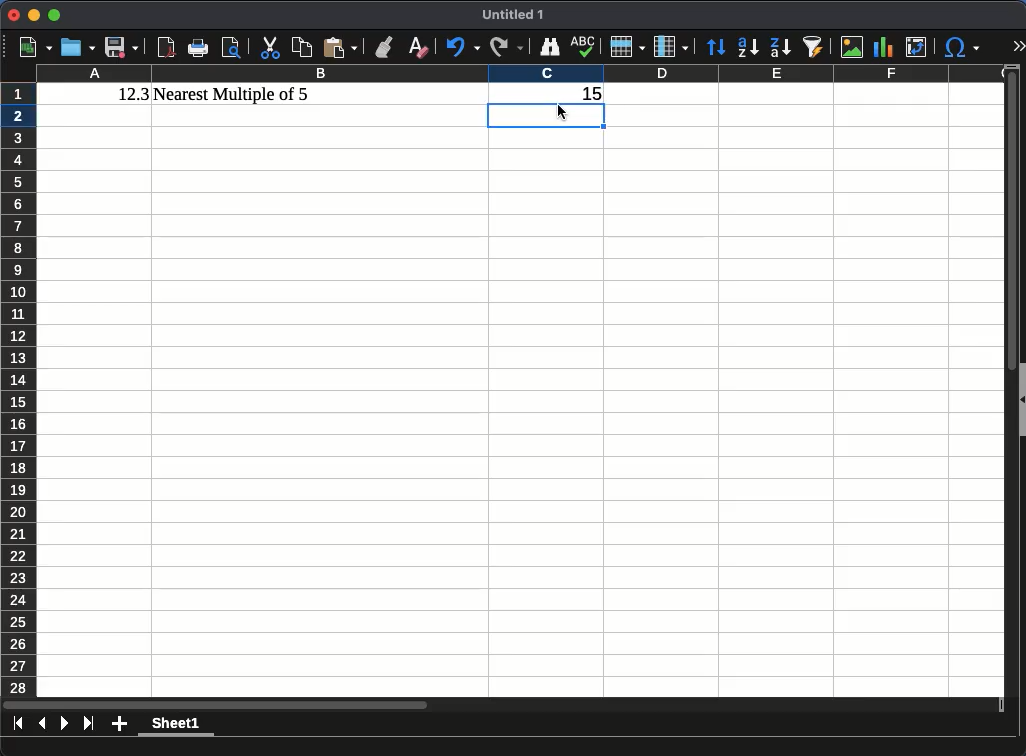 This screenshot has height=756, width=1026. Describe the element at coordinates (562, 114) in the screenshot. I see `cursor` at that location.